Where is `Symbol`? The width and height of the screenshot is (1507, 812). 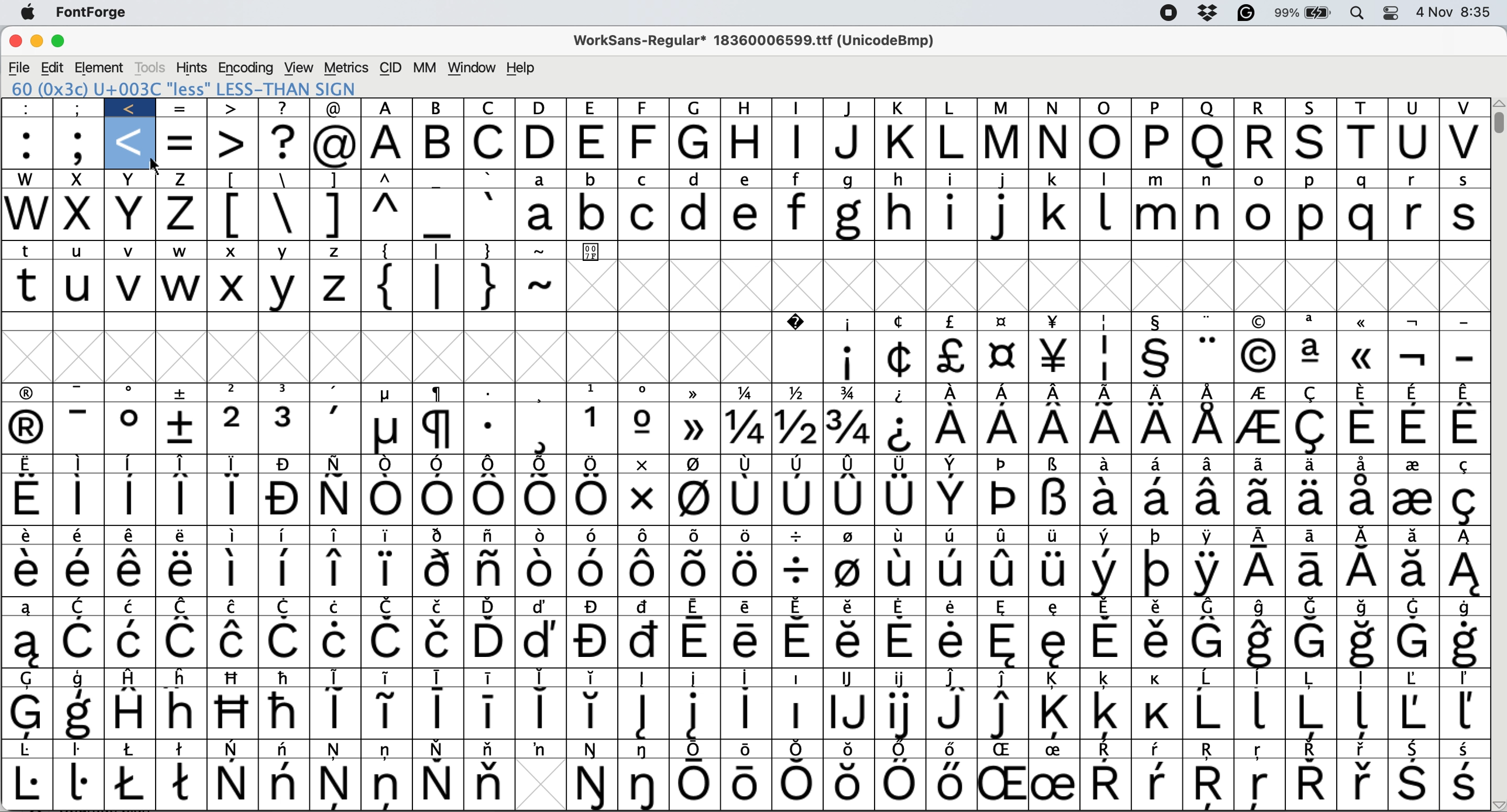
Symbol is located at coordinates (949, 358).